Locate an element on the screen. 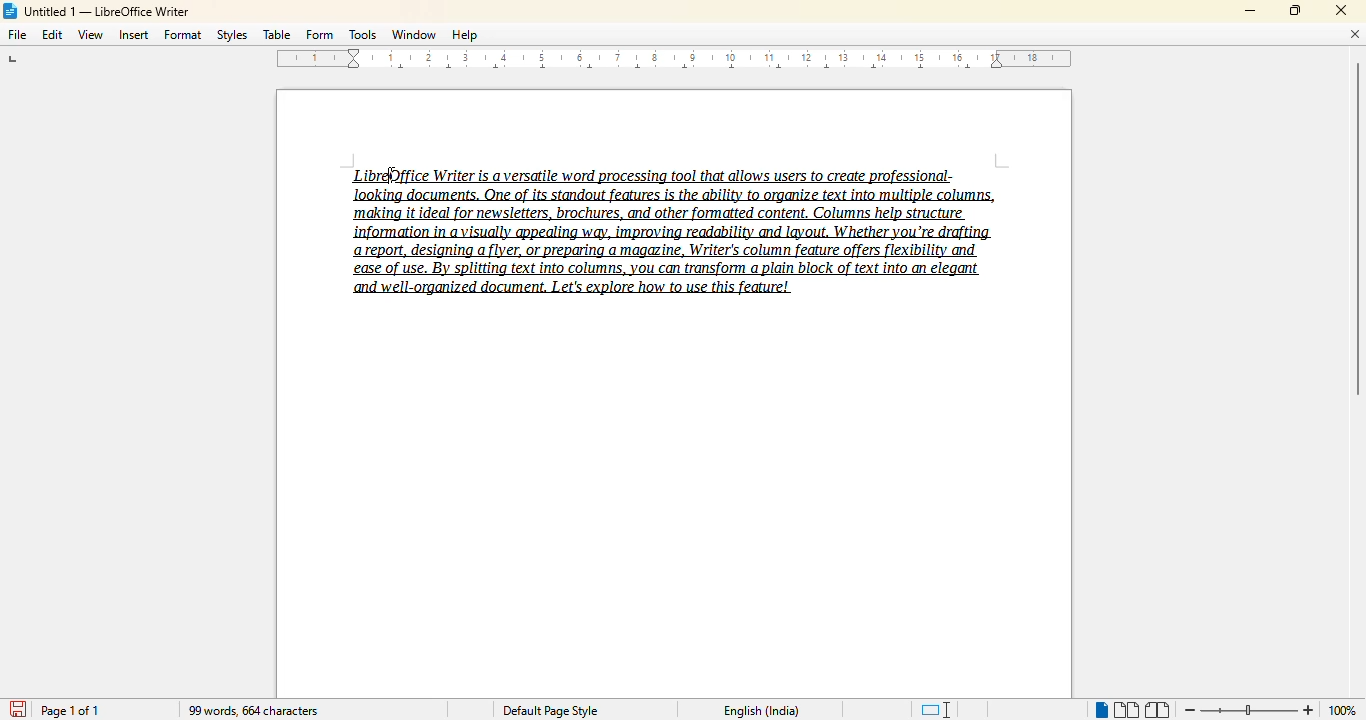 The height and width of the screenshot is (720, 1366). tools is located at coordinates (363, 35).